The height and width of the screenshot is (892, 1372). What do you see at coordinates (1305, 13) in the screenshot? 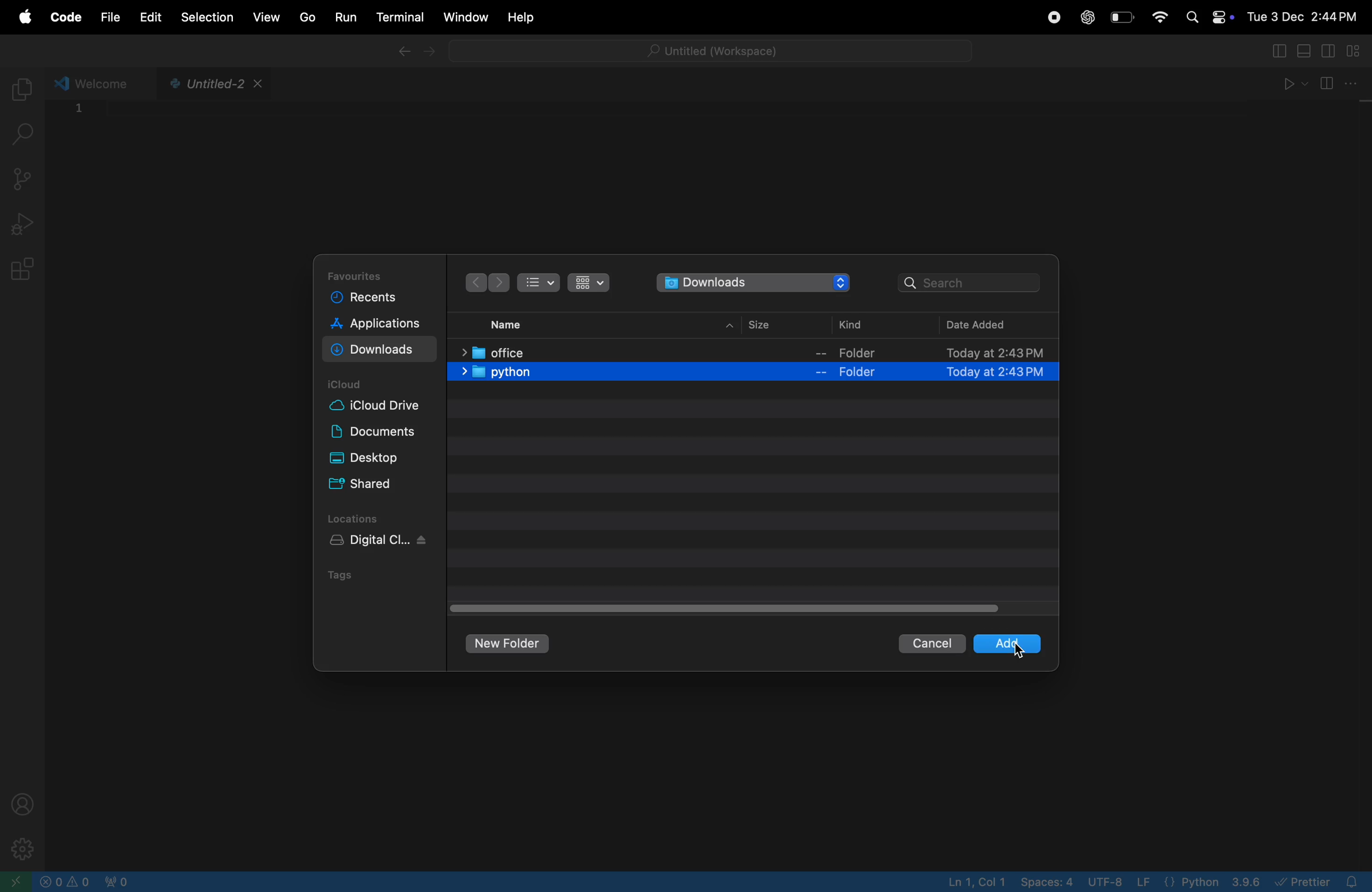
I see `date and time` at bounding box center [1305, 13].